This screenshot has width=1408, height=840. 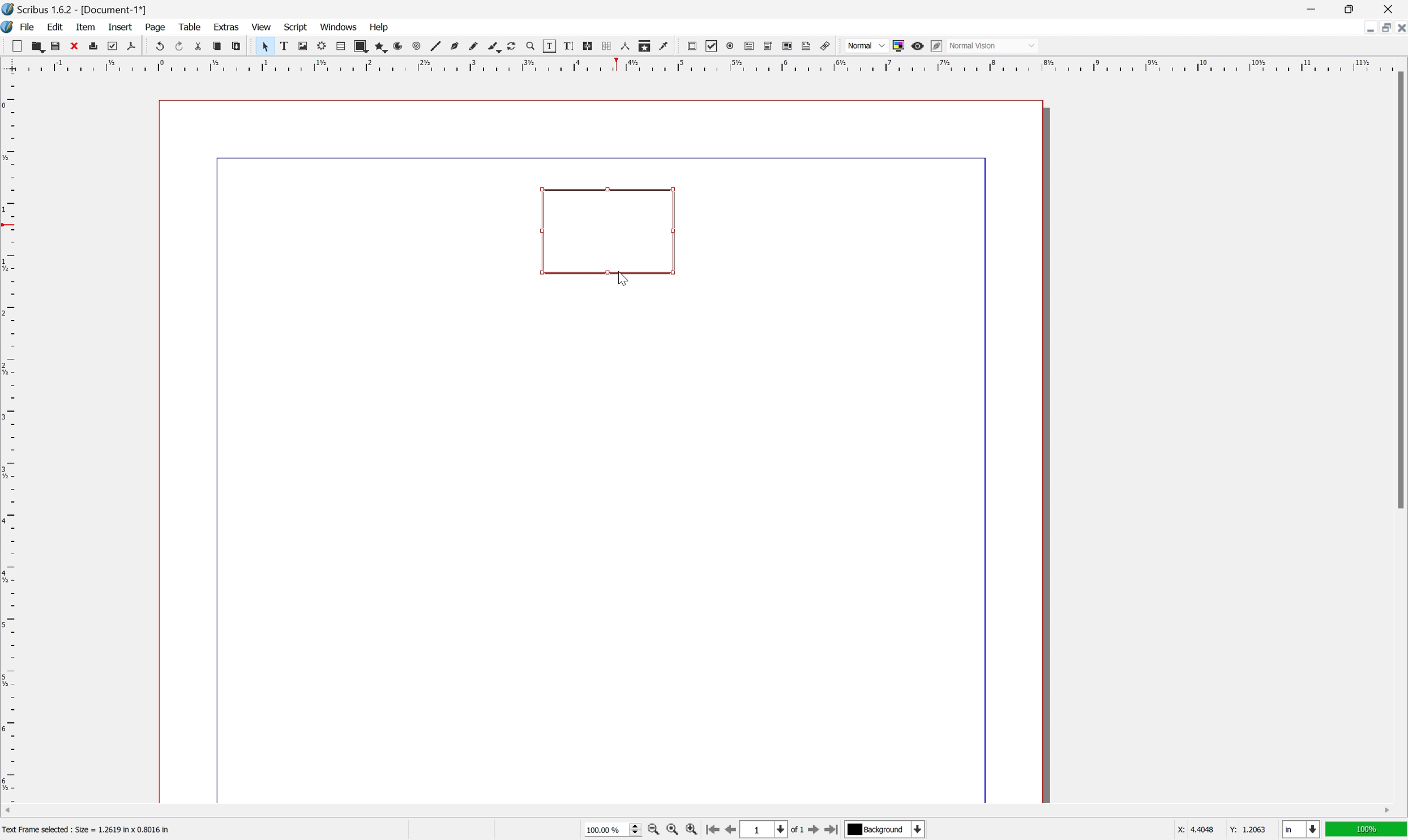 What do you see at coordinates (227, 27) in the screenshot?
I see `extras` at bounding box center [227, 27].